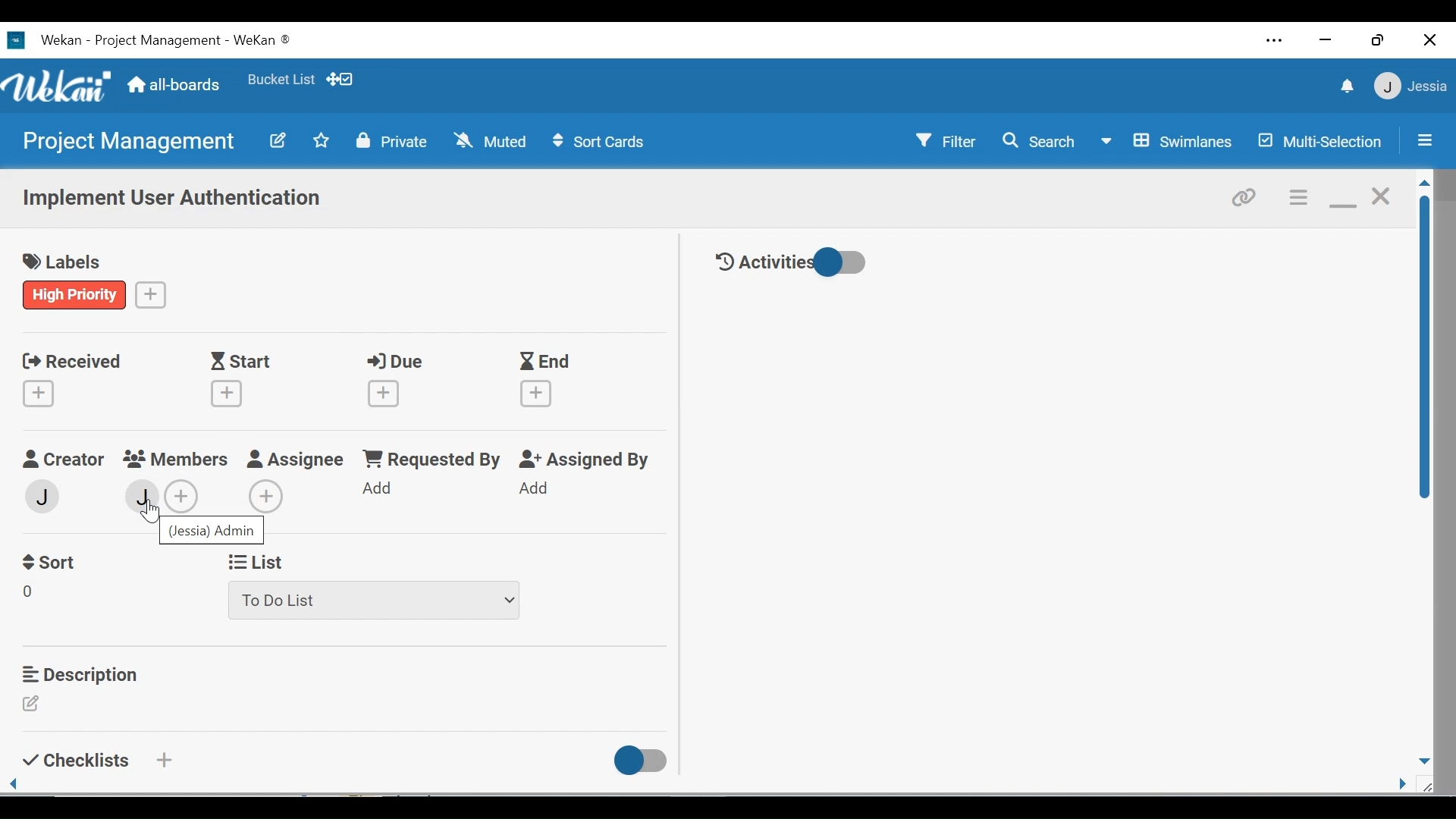 Image resolution: width=1456 pixels, height=819 pixels. What do you see at coordinates (14, 785) in the screenshot?
I see `move left` at bounding box center [14, 785].